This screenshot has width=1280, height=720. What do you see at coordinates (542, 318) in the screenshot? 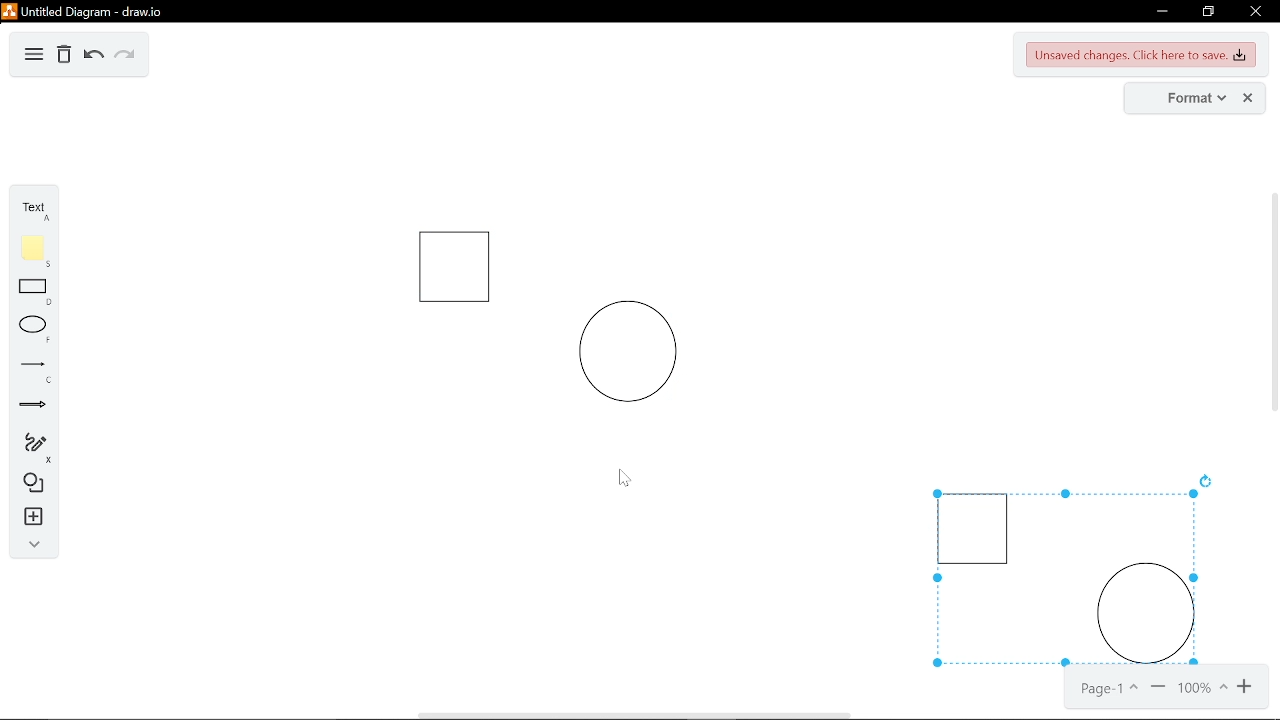
I see `grouped circle and square` at bounding box center [542, 318].